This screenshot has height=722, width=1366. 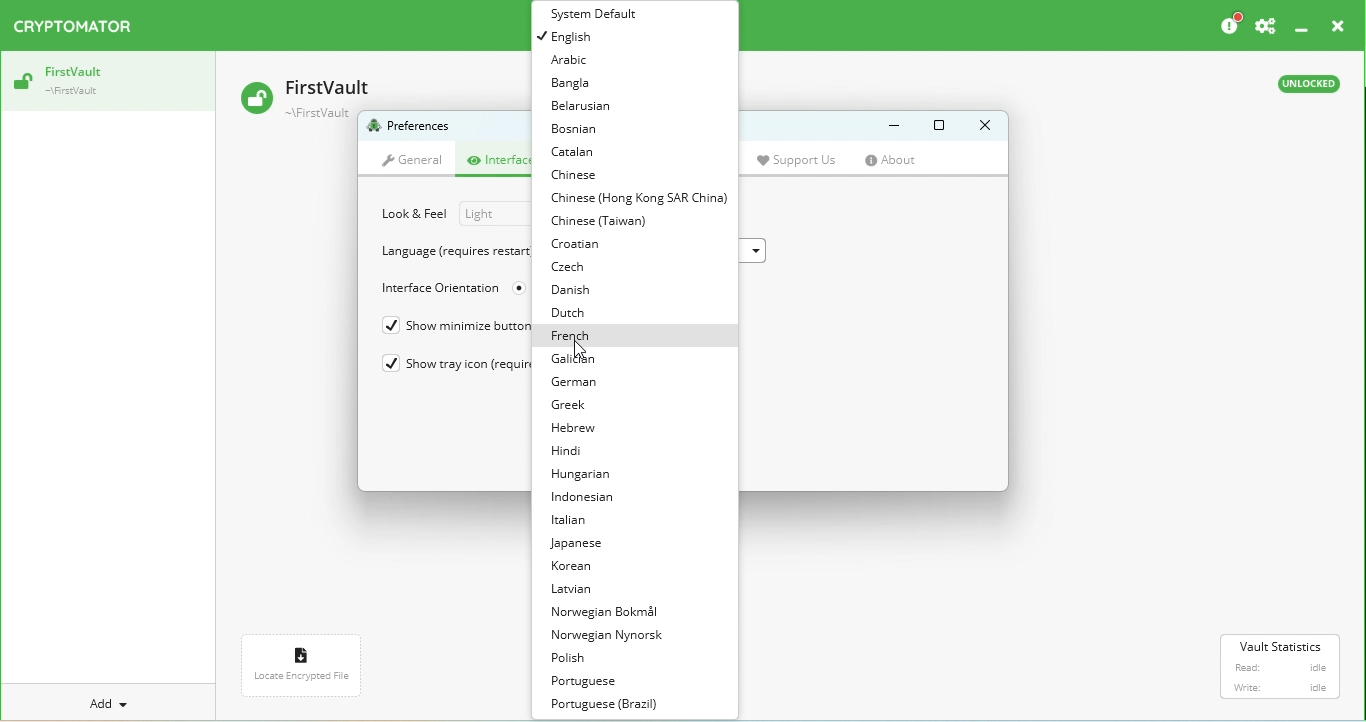 I want to click on Please considder donating, so click(x=1228, y=25).